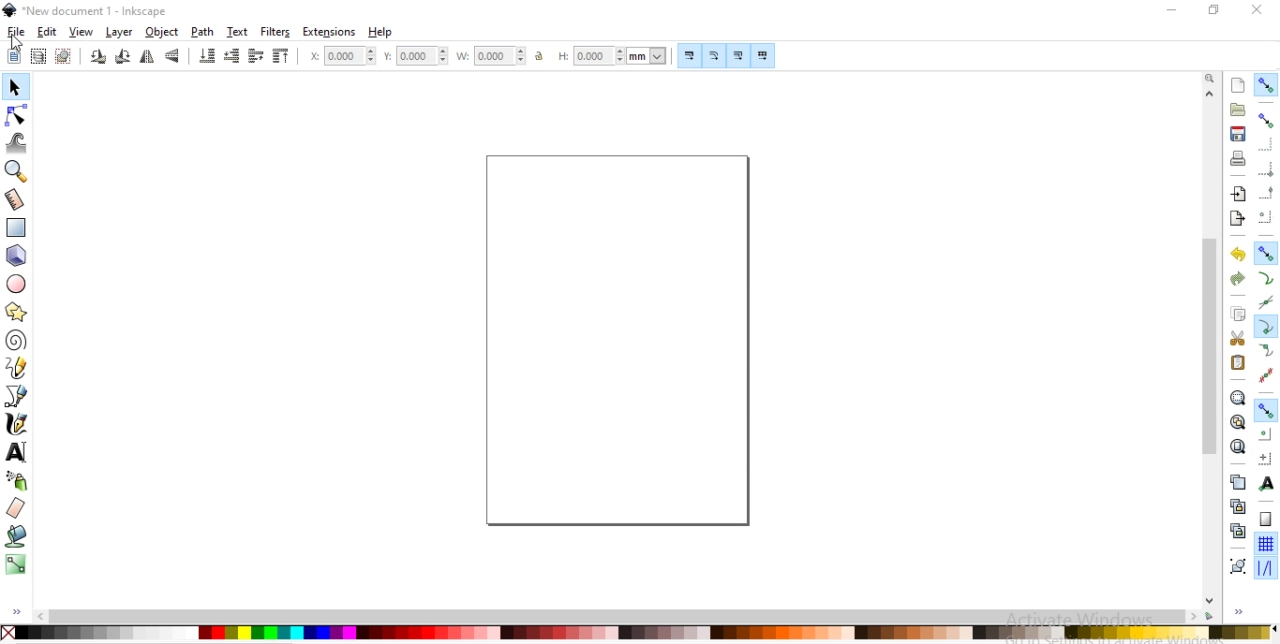  What do you see at coordinates (1238, 279) in the screenshot?
I see `redo` at bounding box center [1238, 279].